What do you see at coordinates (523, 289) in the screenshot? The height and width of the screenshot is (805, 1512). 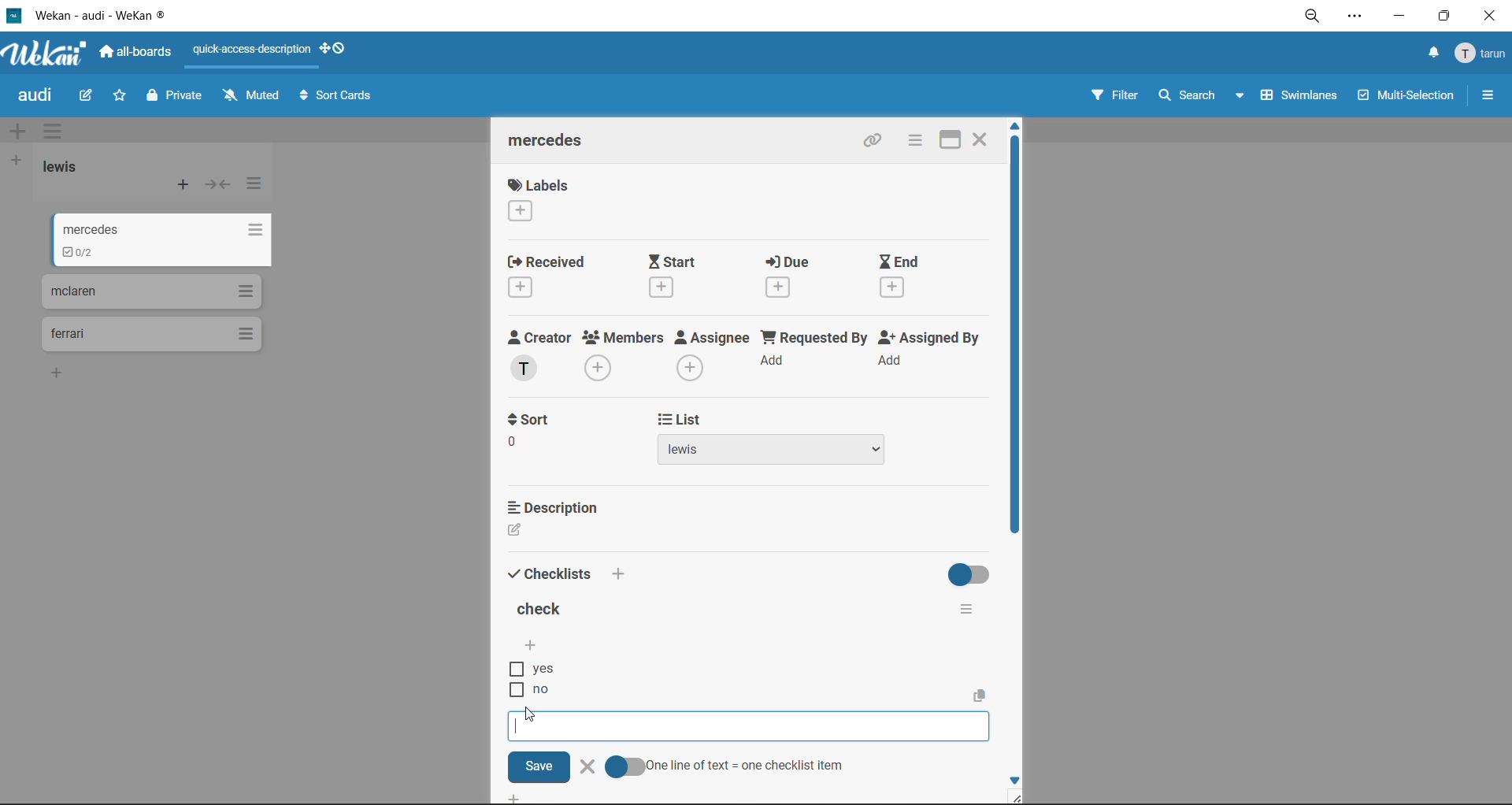 I see `Add Recieved` at bounding box center [523, 289].